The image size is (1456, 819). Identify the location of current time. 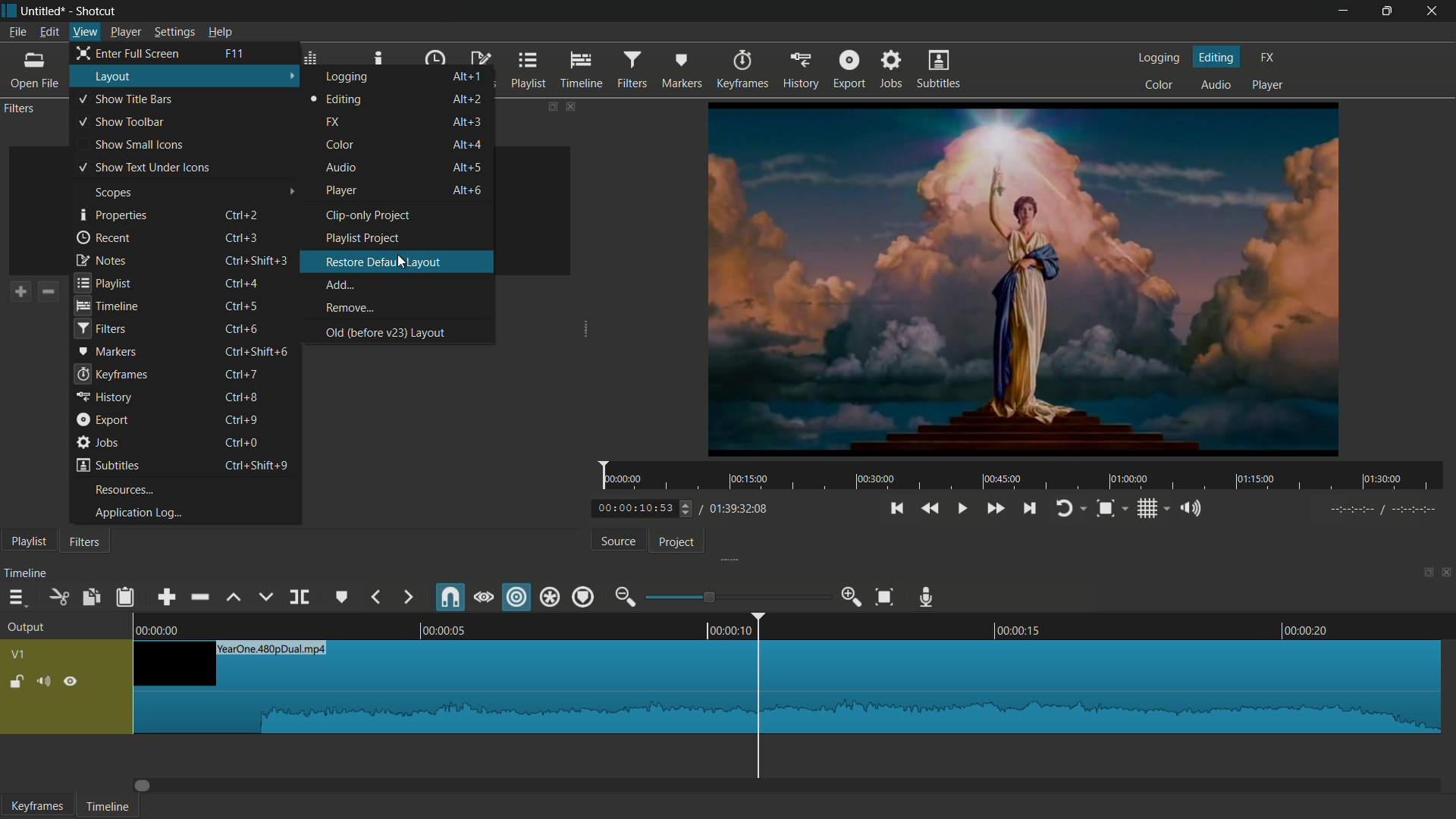
(647, 509).